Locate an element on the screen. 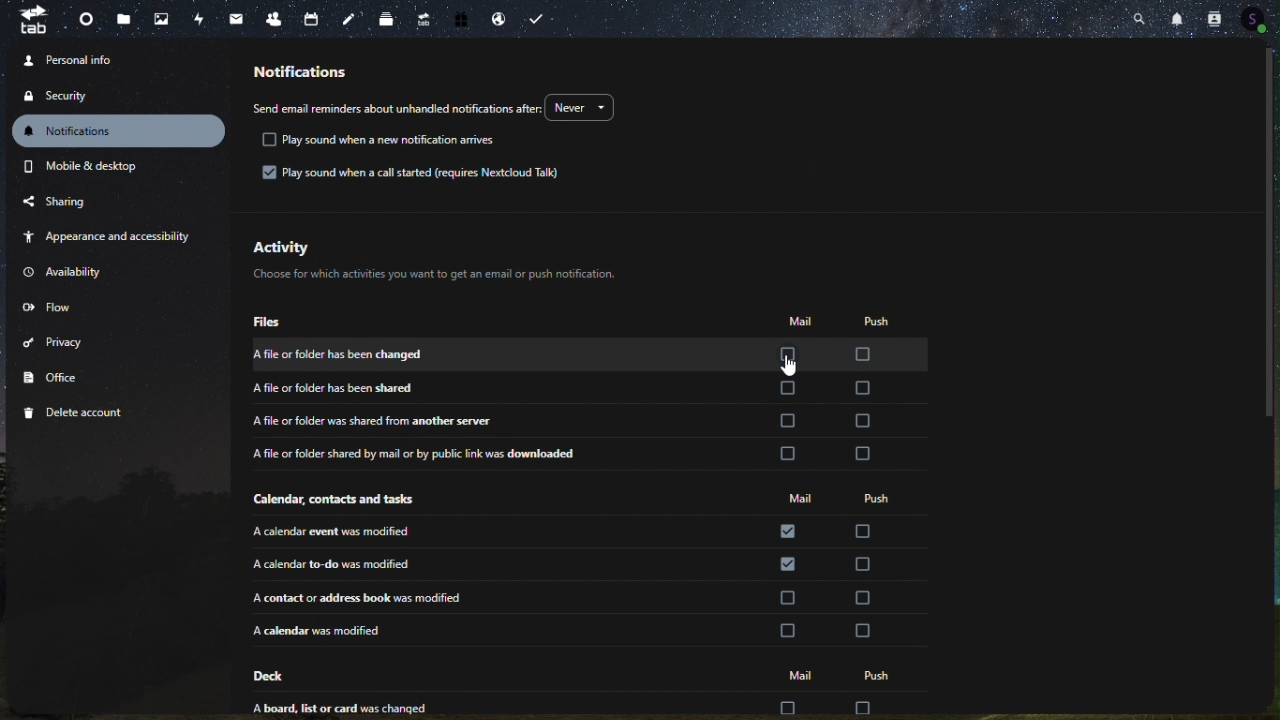 The width and height of the screenshot is (1280, 720). push is located at coordinates (886, 321).